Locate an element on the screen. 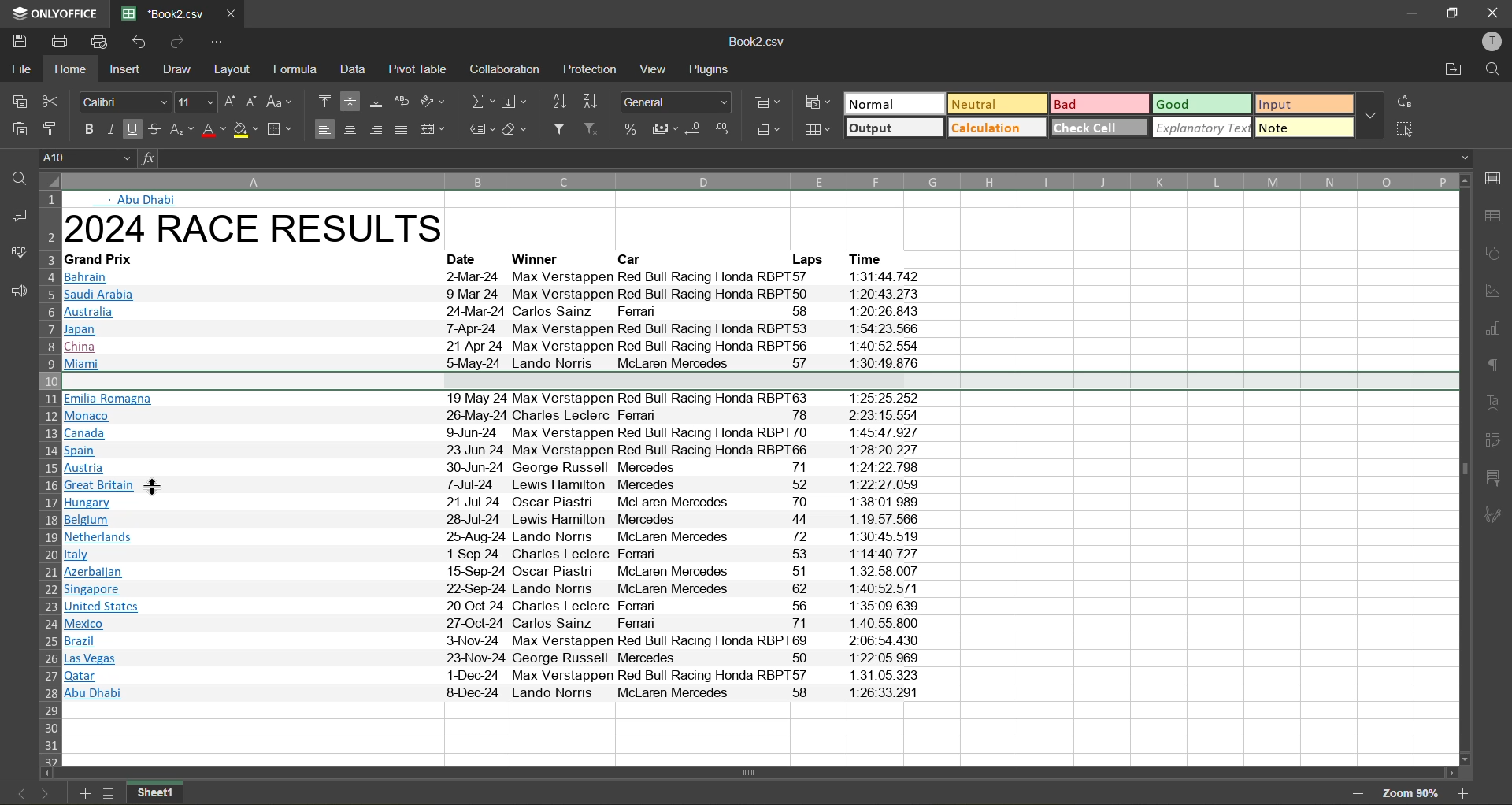 The height and width of the screenshot is (805, 1512). Min: 57 is located at coordinates (1169, 793).